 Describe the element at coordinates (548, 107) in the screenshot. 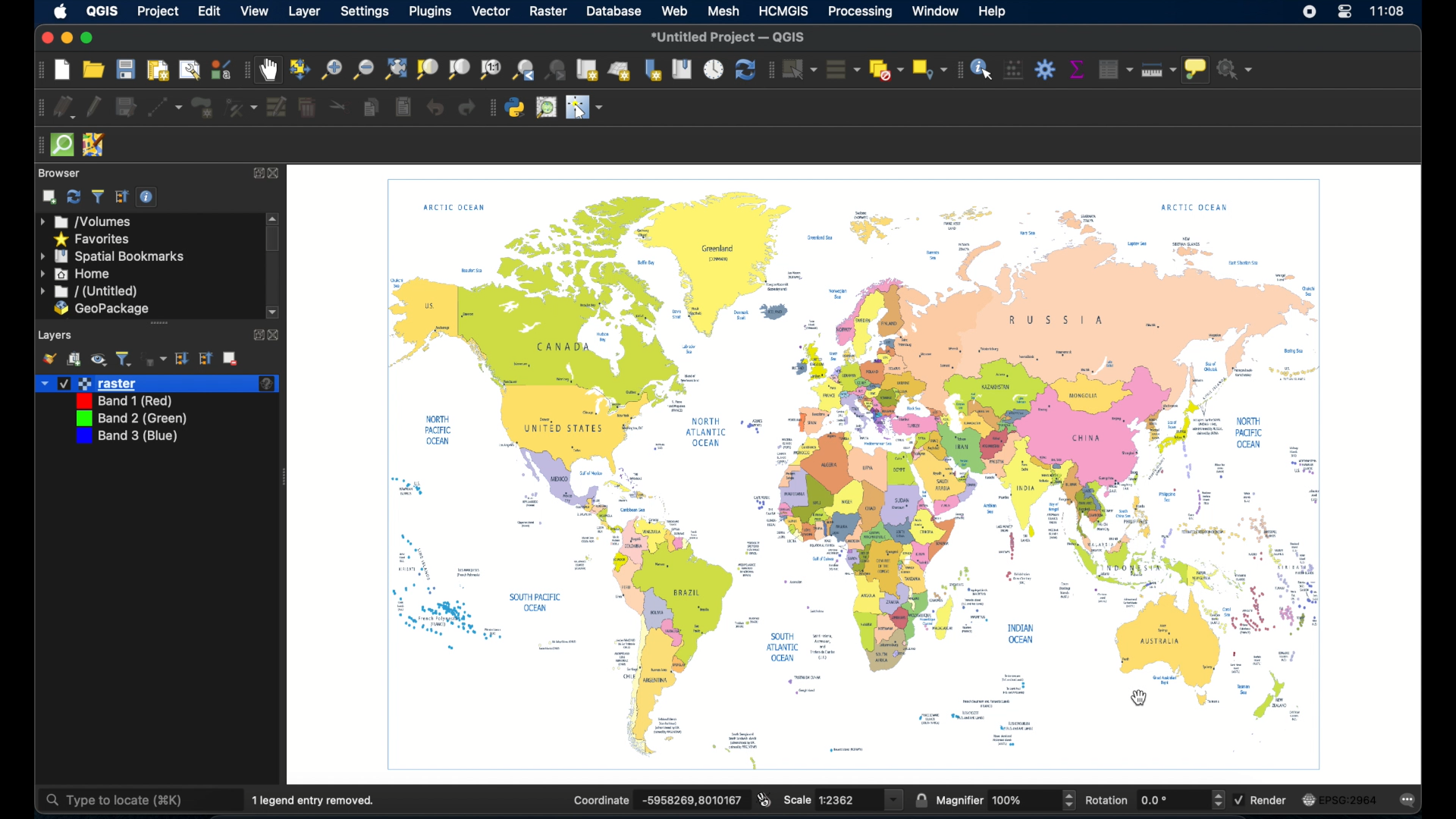

I see `osm place search` at that location.